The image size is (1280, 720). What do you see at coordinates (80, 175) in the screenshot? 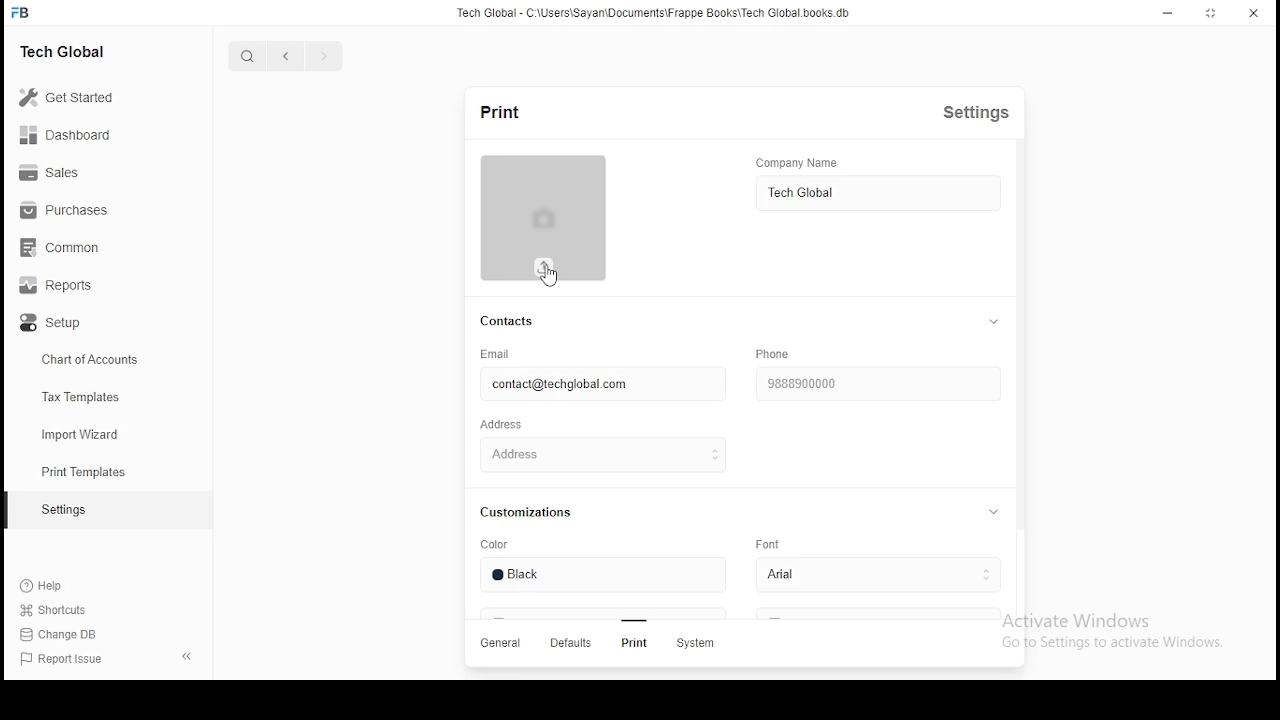
I see `Sales ` at bounding box center [80, 175].